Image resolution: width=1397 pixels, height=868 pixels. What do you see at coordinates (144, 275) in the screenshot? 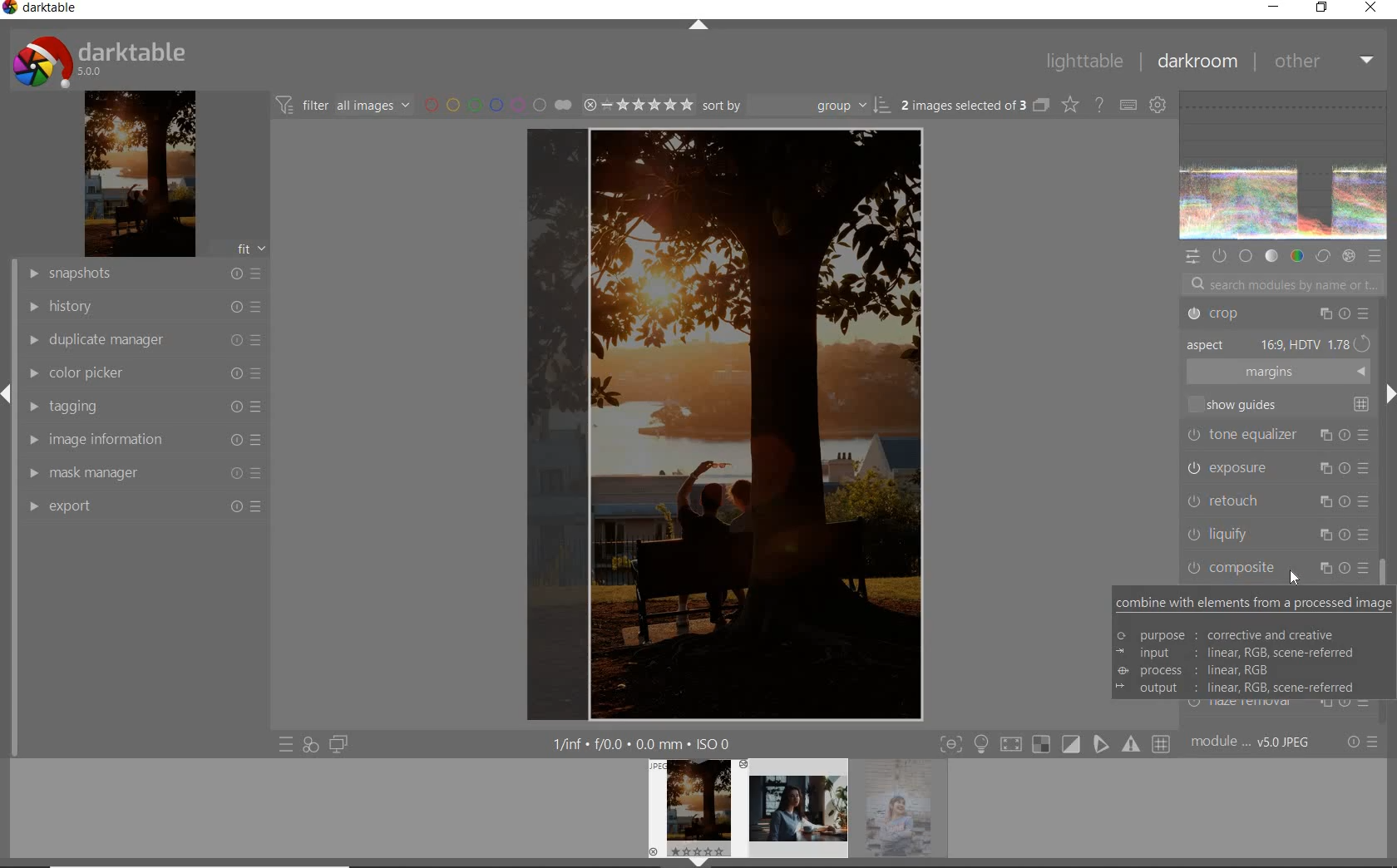
I see `snapshot` at bounding box center [144, 275].